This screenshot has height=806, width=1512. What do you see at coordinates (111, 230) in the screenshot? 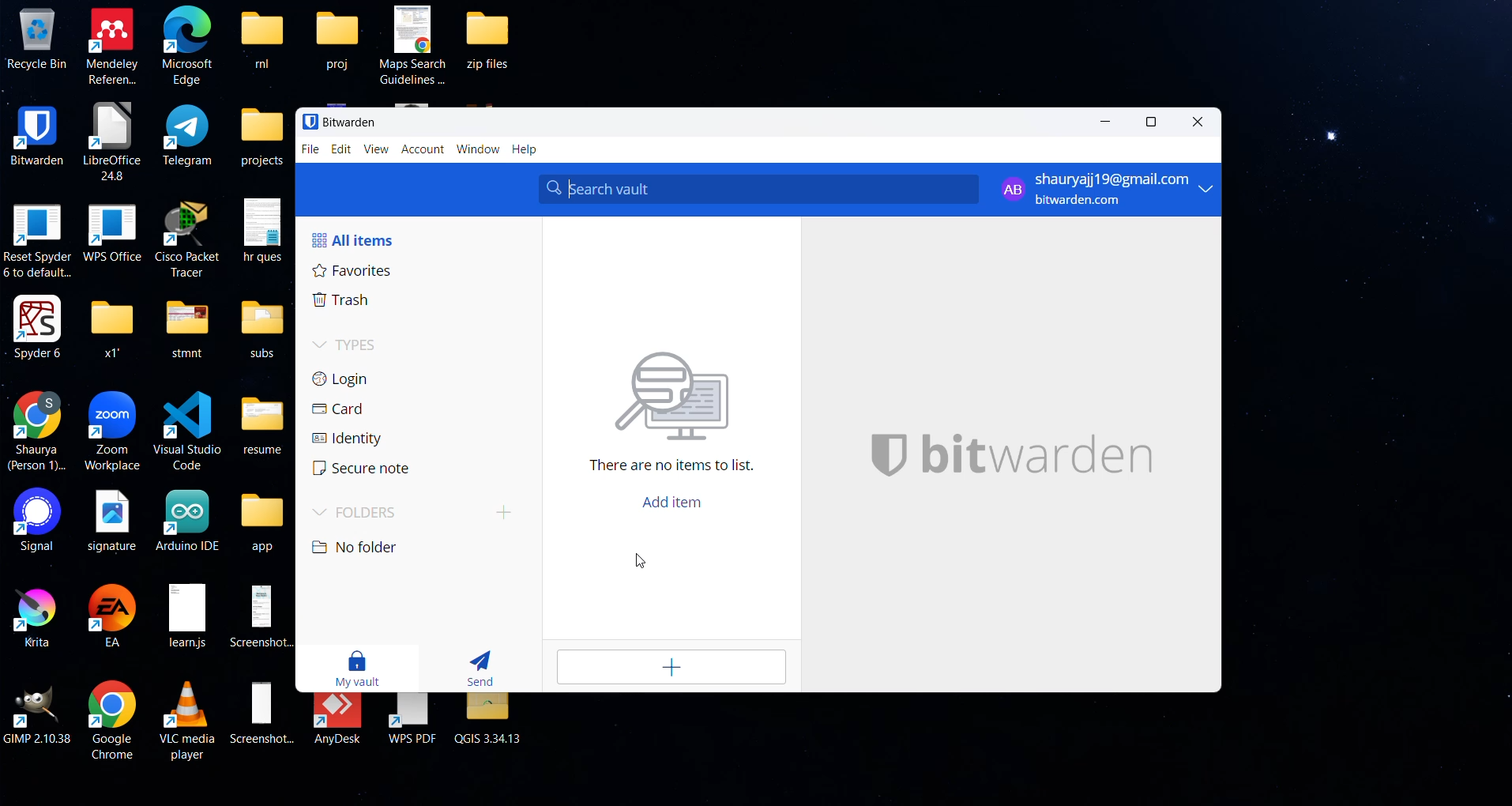
I see `WPS Office` at bounding box center [111, 230].